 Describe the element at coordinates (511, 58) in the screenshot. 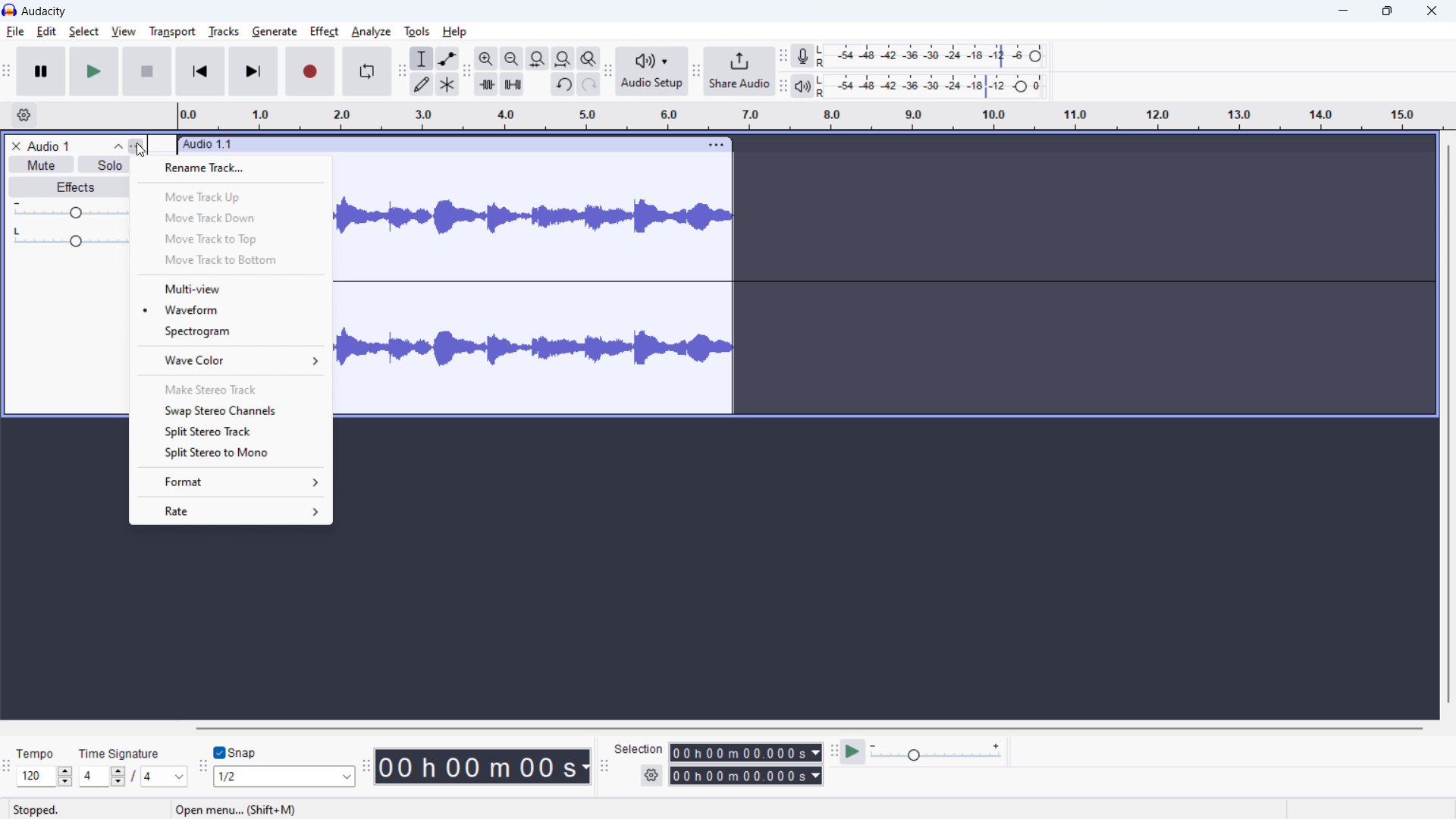

I see `zoom out` at that location.